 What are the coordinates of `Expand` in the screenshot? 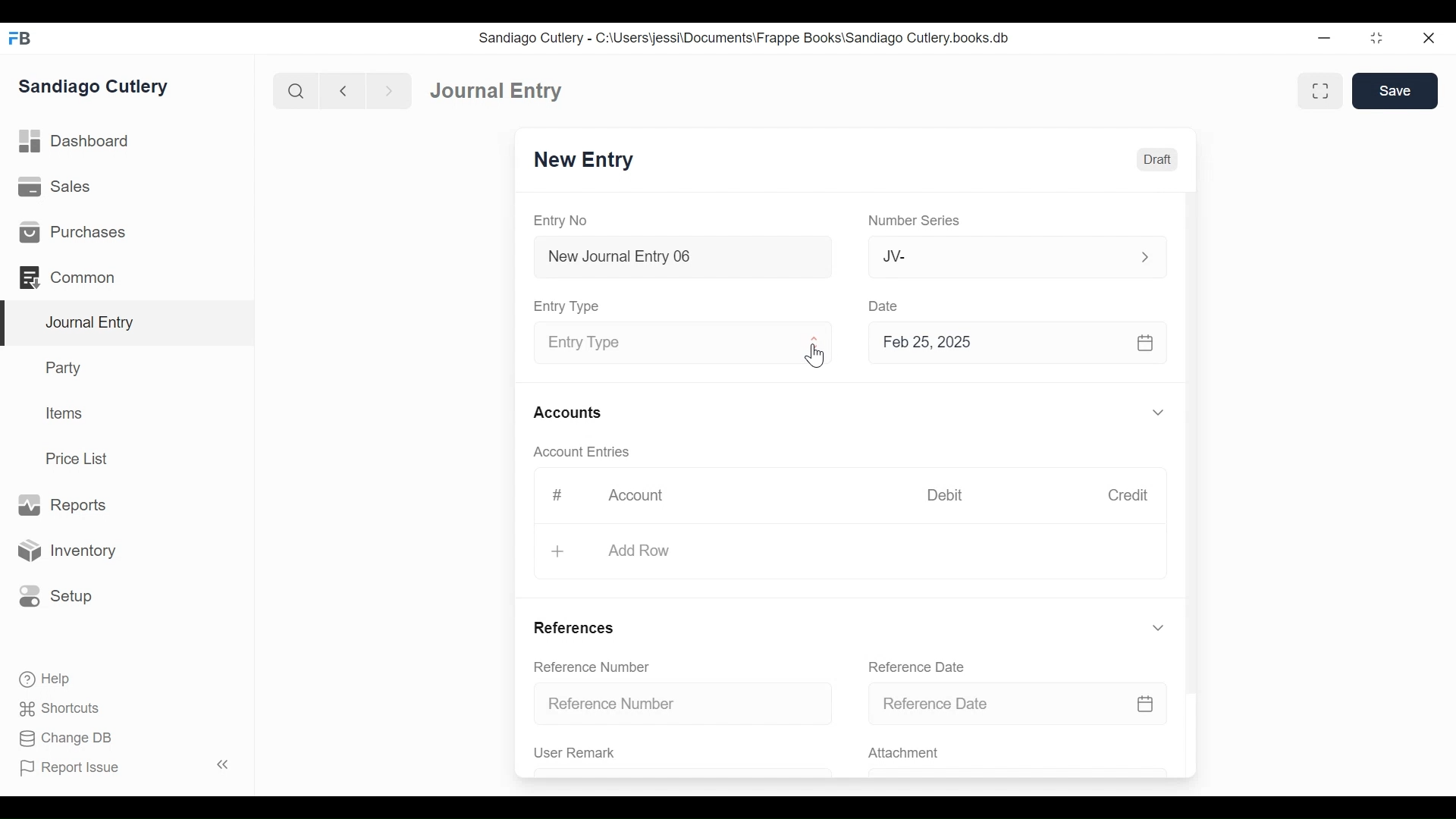 It's located at (815, 343).